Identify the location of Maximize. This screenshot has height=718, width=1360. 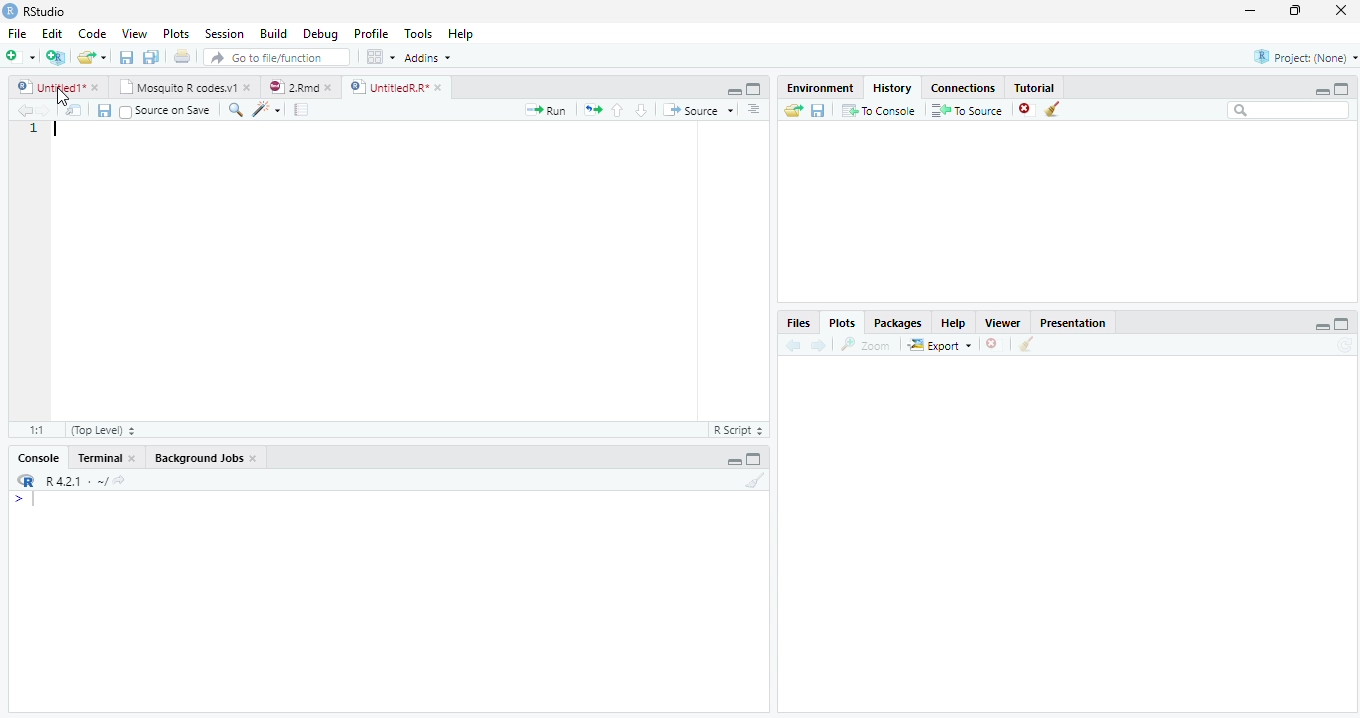
(1297, 13).